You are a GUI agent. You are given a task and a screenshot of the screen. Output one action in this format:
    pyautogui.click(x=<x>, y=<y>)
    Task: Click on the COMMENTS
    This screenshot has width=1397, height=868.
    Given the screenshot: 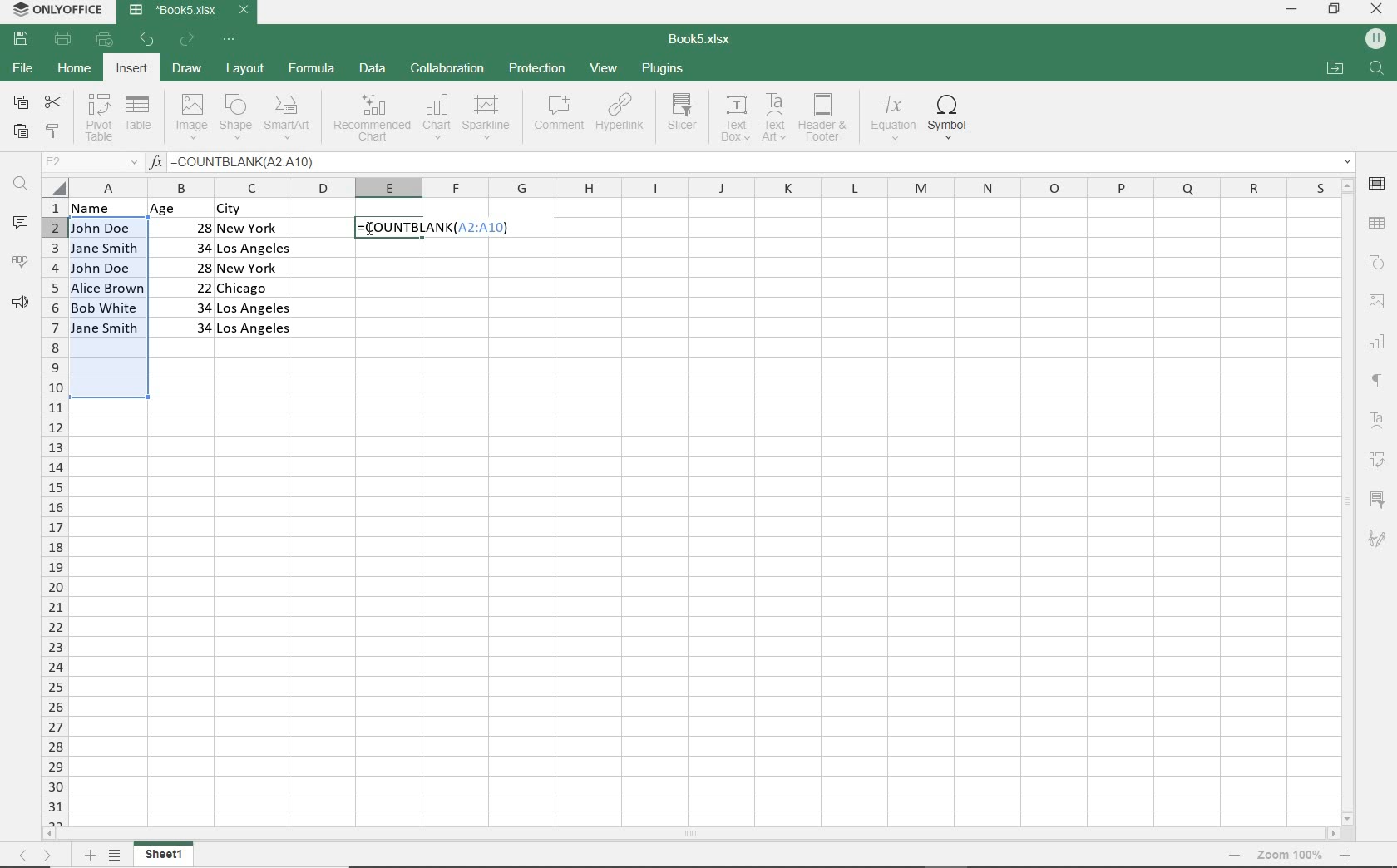 What is the action you would take?
    pyautogui.click(x=20, y=224)
    